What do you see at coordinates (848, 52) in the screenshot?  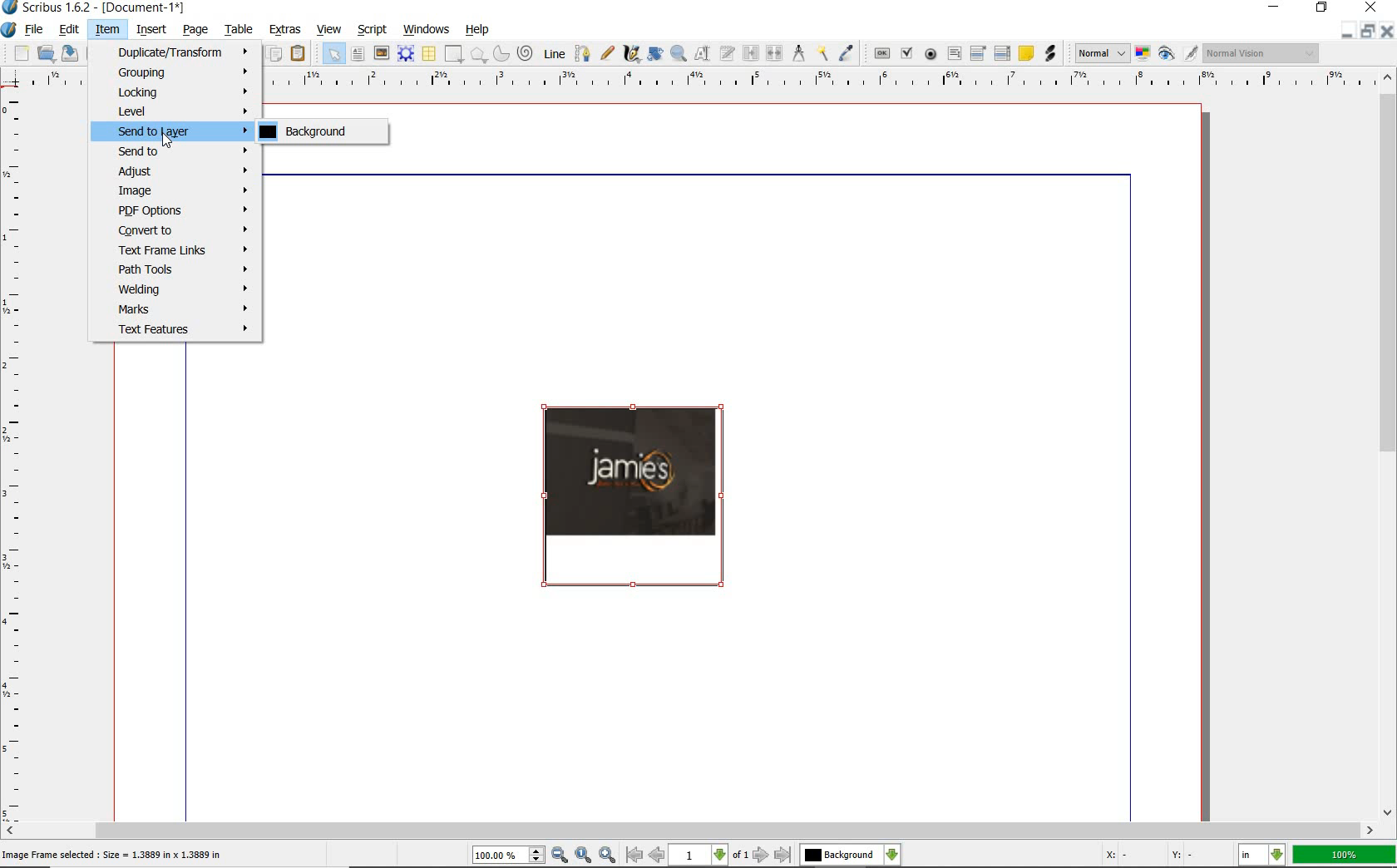 I see `eye dropper` at bounding box center [848, 52].